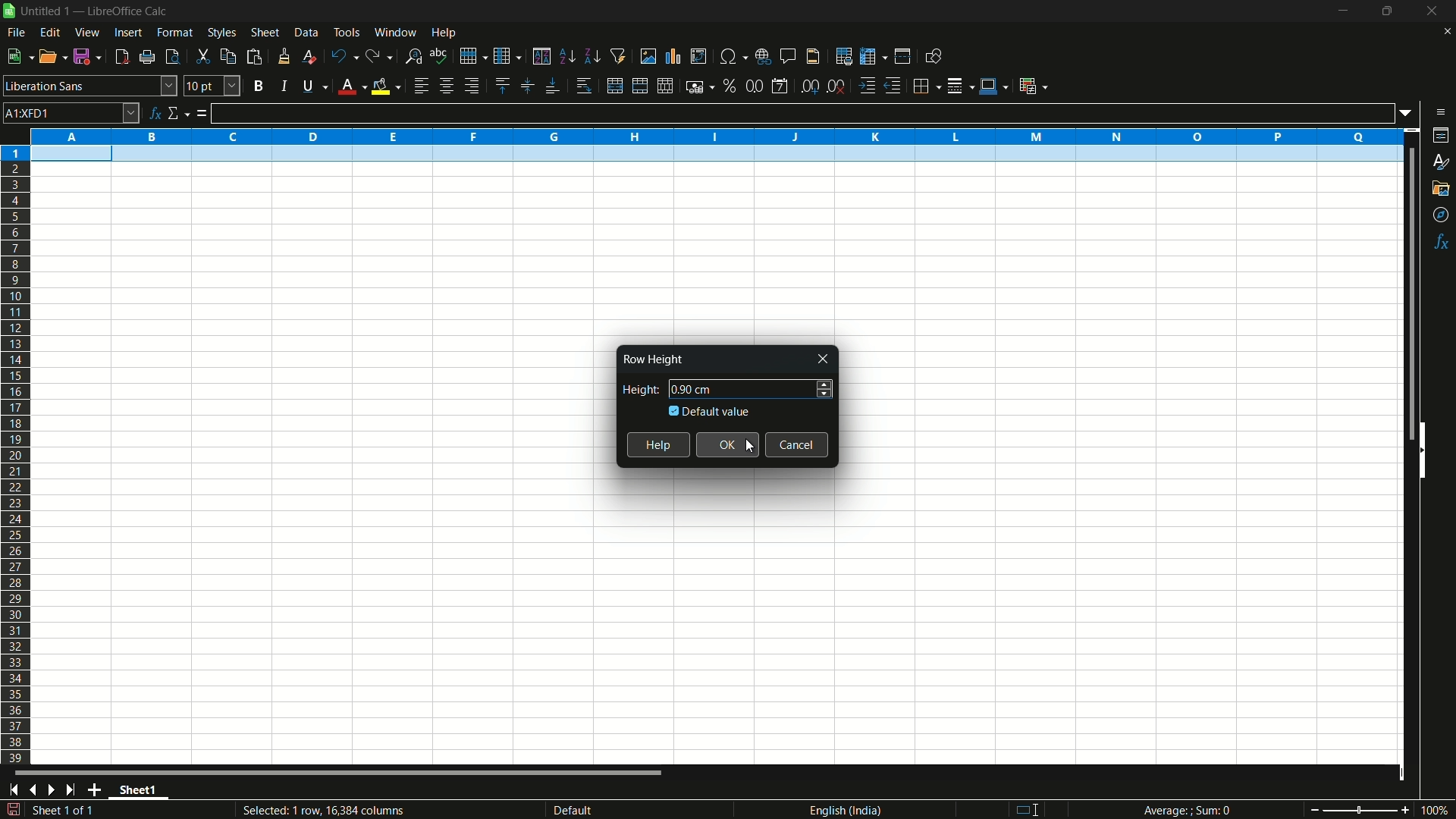 This screenshot has width=1456, height=819. I want to click on formula input line, so click(802, 113).